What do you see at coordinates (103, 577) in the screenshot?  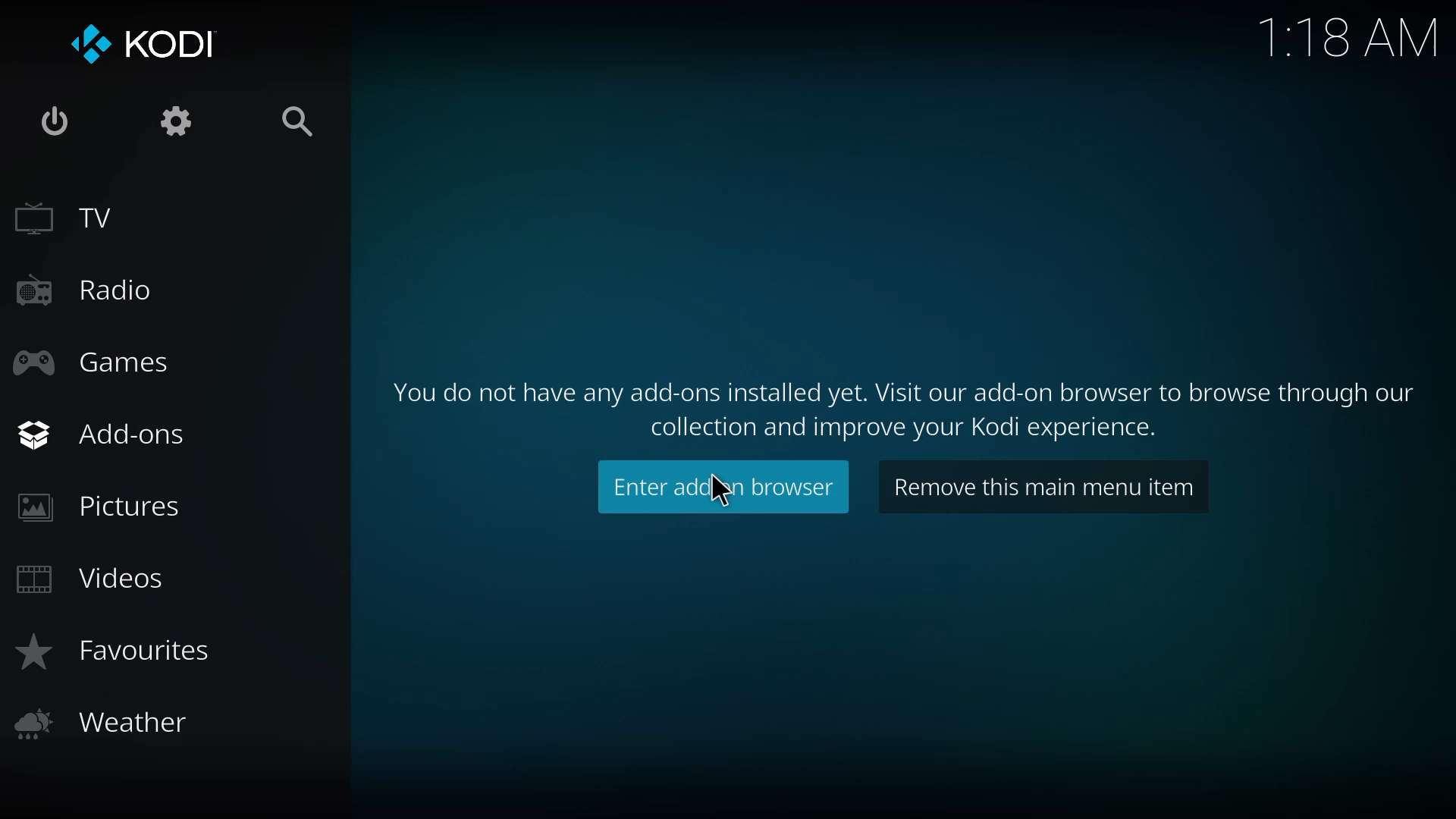 I see `videos` at bounding box center [103, 577].